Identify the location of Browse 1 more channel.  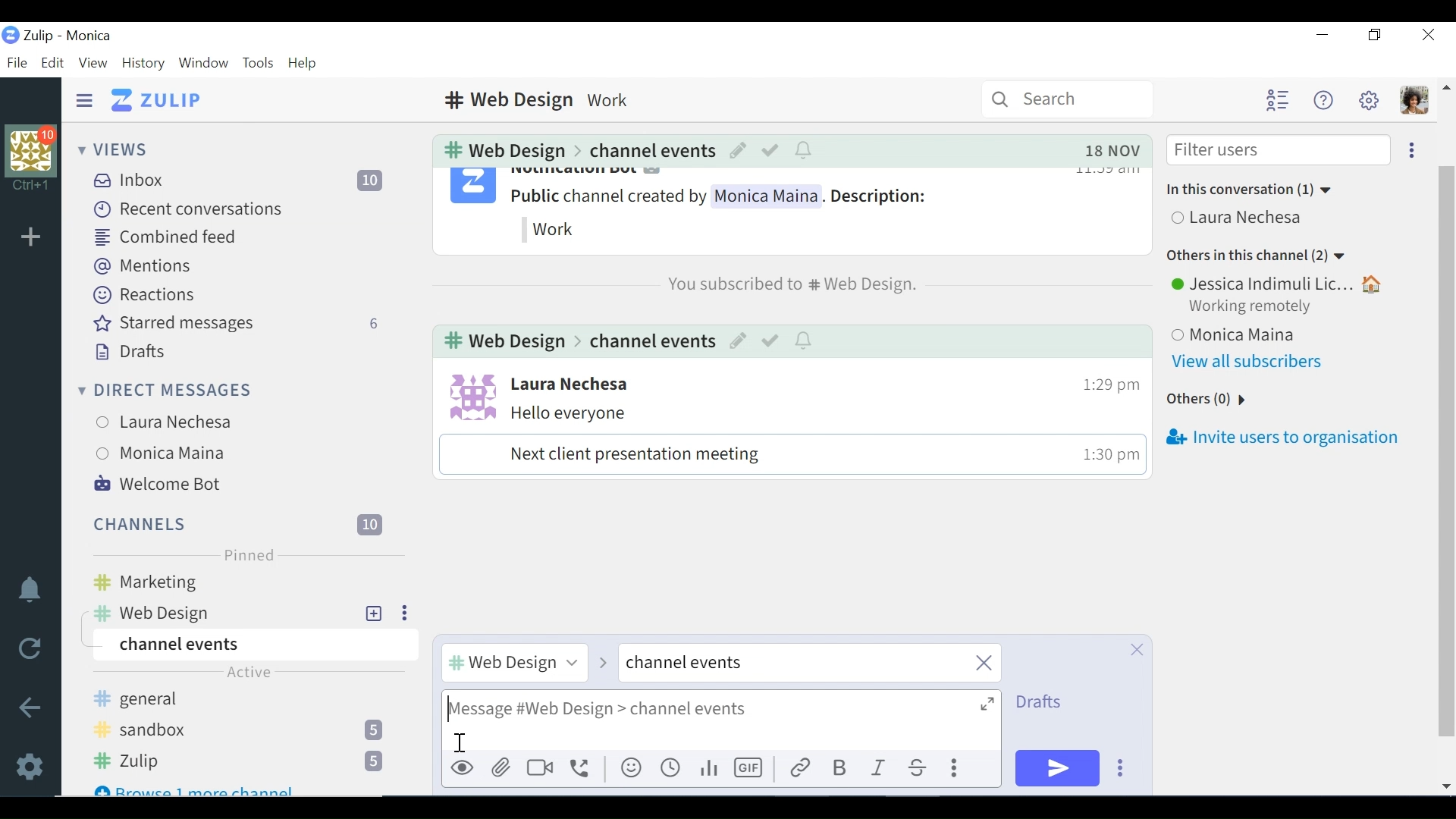
(197, 787).